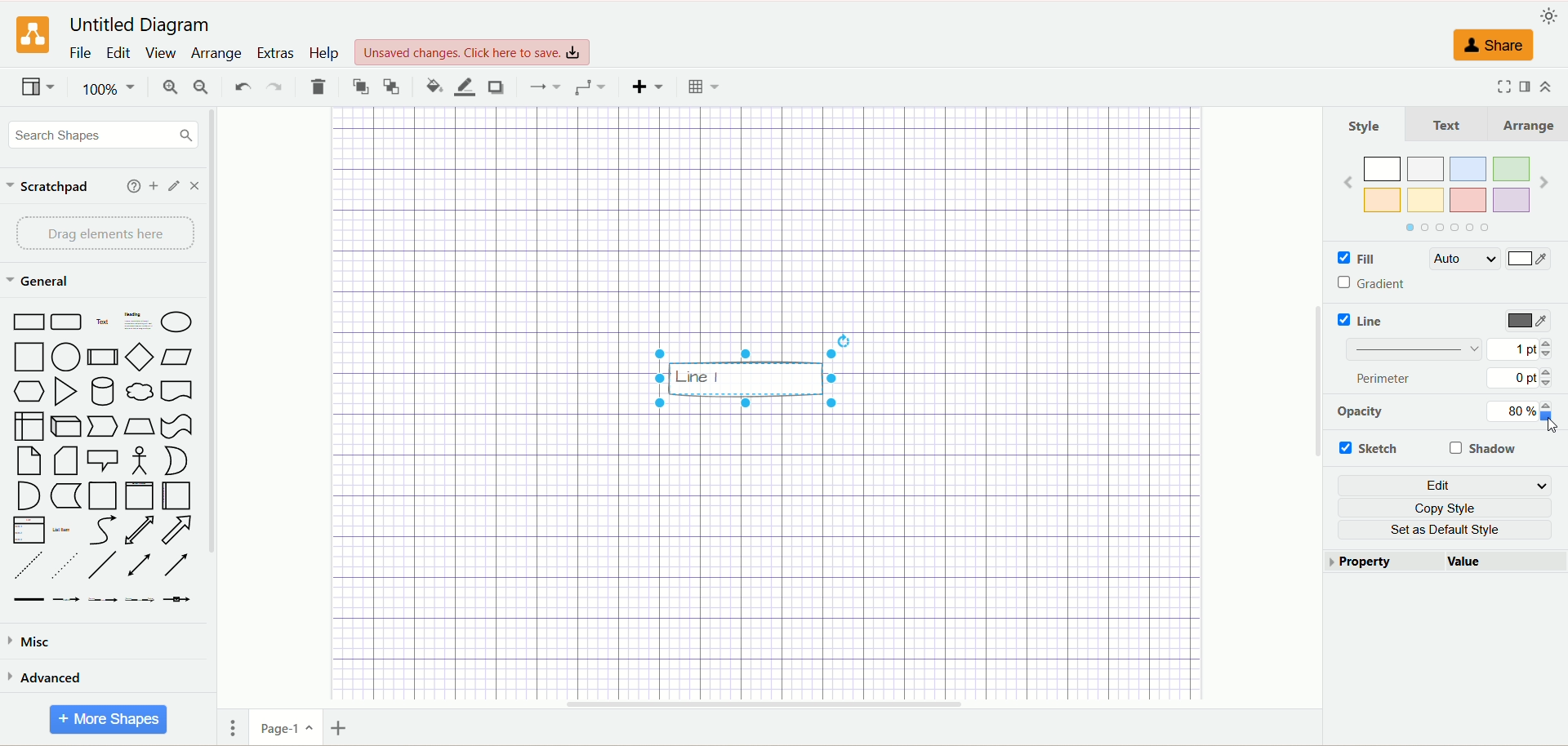 This screenshot has width=1568, height=746. I want to click on Dashed Line, so click(28, 565).